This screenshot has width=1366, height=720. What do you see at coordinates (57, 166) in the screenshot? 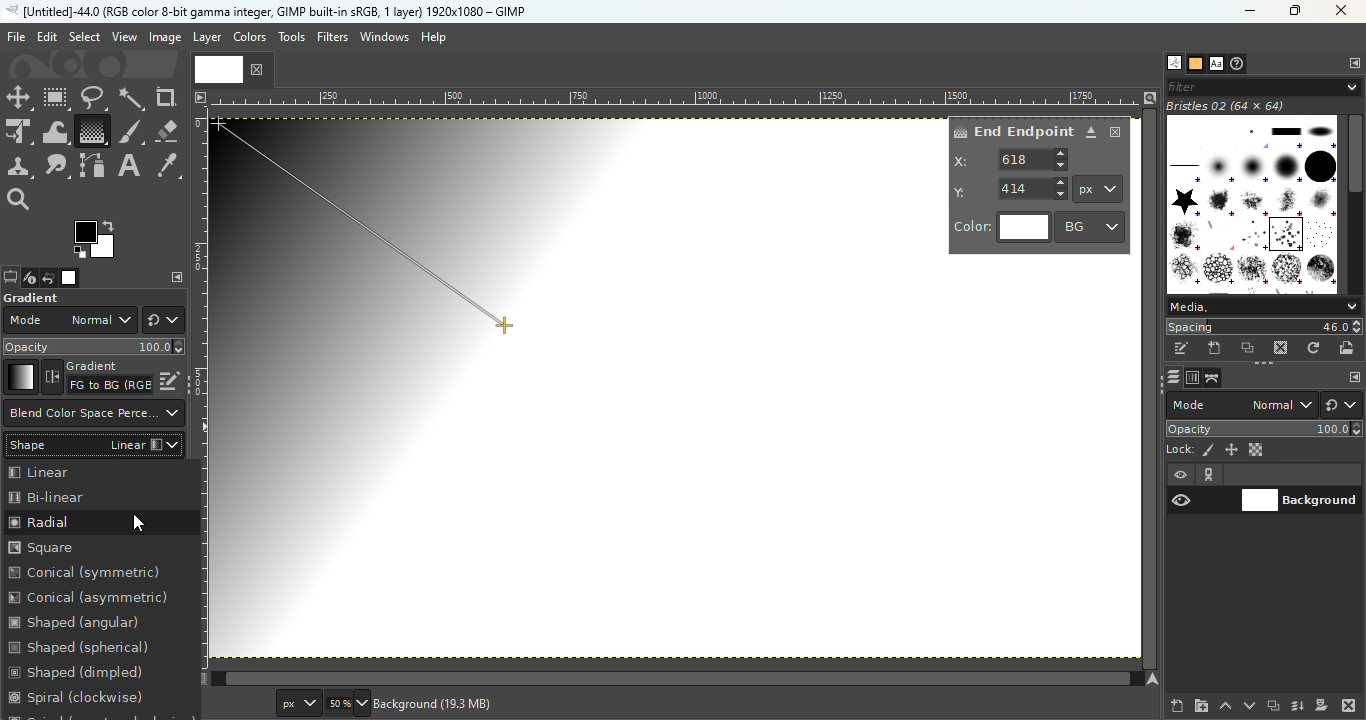
I see `Smudge tool` at bounding box center [57, 166].